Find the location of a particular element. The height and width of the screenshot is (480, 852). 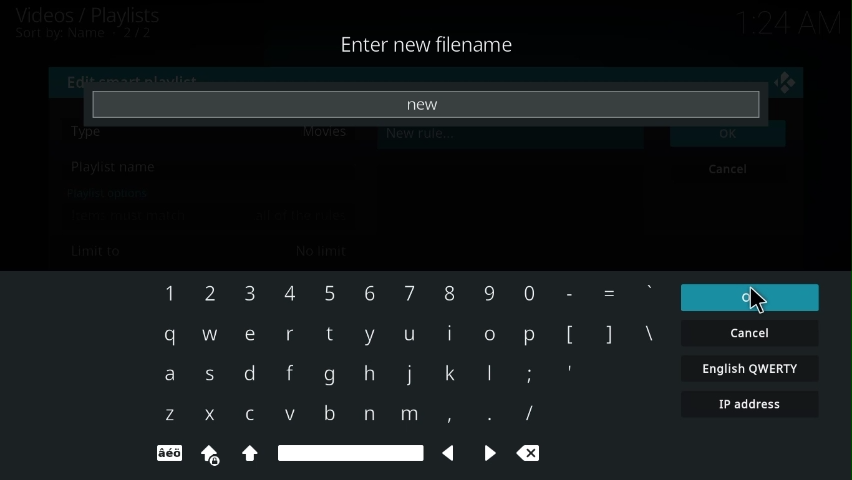

q is located at coordinates (164, 337).